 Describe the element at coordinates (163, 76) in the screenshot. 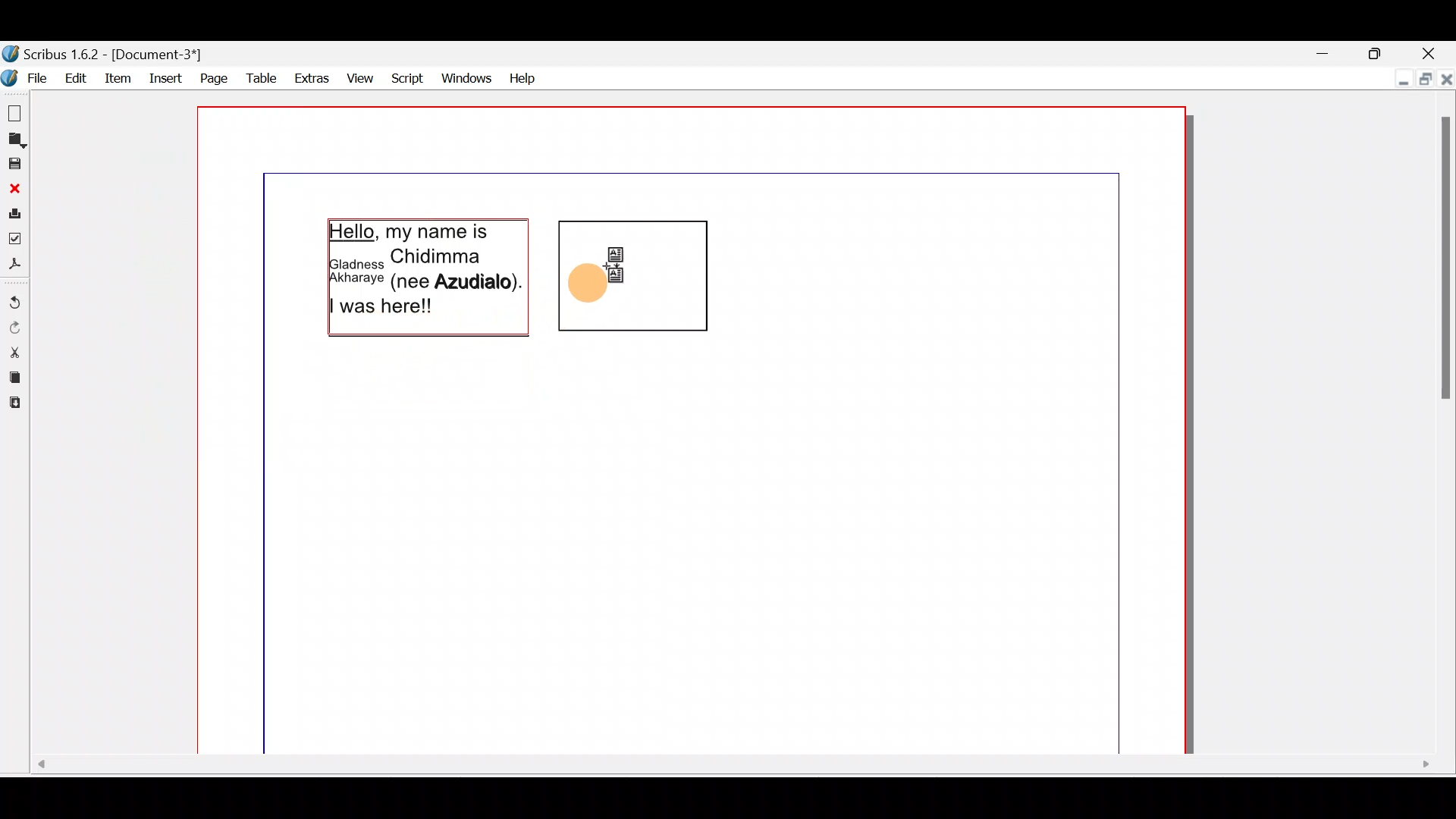

I see `Insert` at that location.